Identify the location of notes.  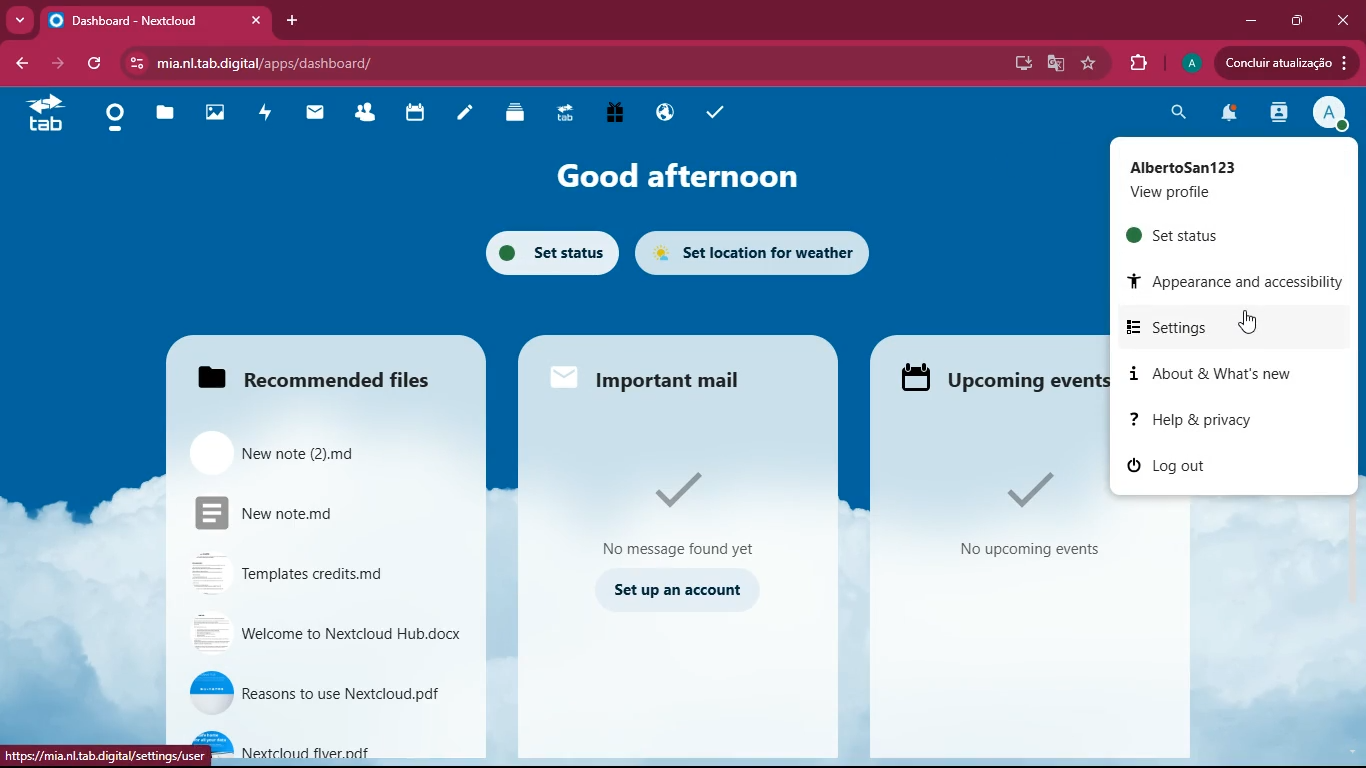
(462, 115).